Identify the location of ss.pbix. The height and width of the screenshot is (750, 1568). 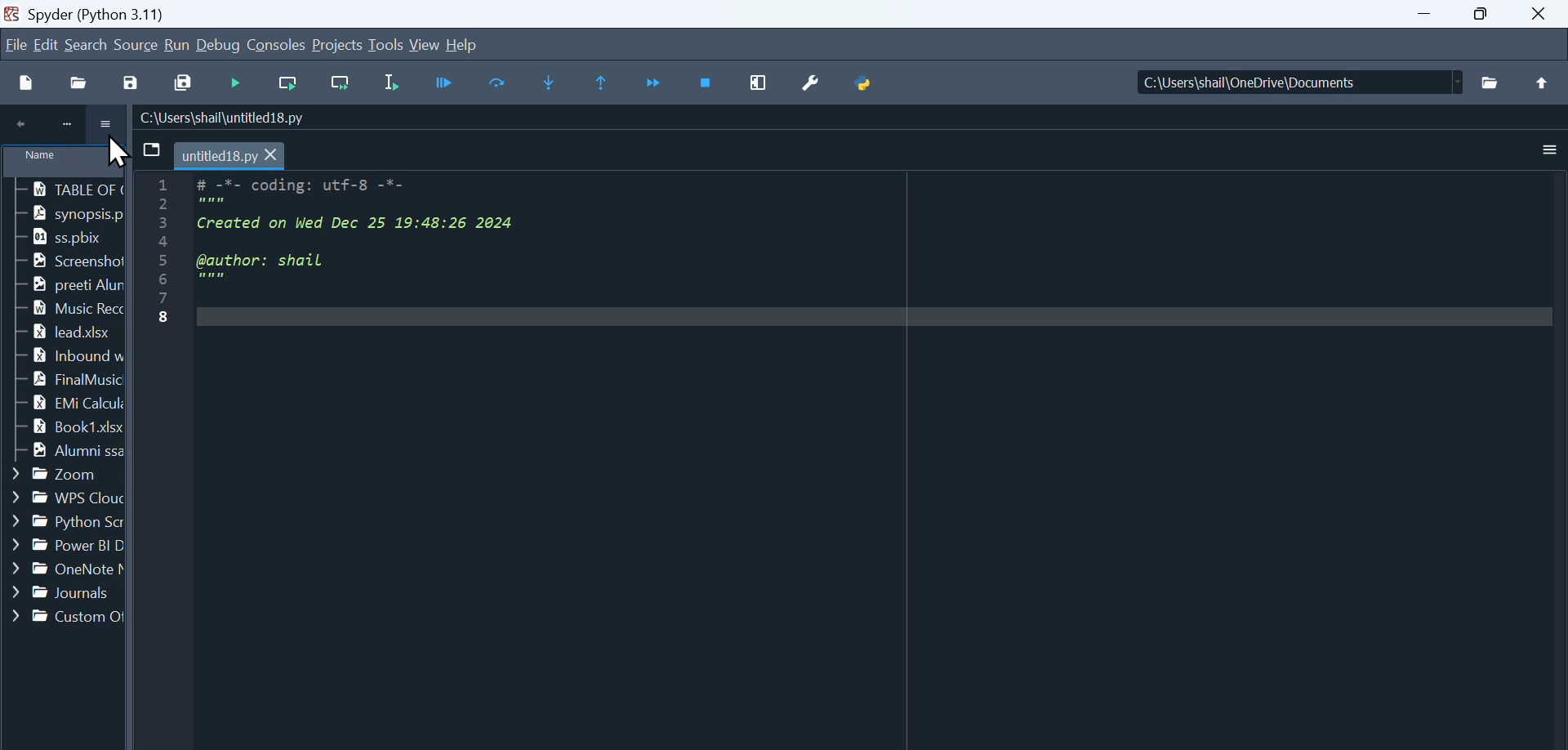
(60, 237).